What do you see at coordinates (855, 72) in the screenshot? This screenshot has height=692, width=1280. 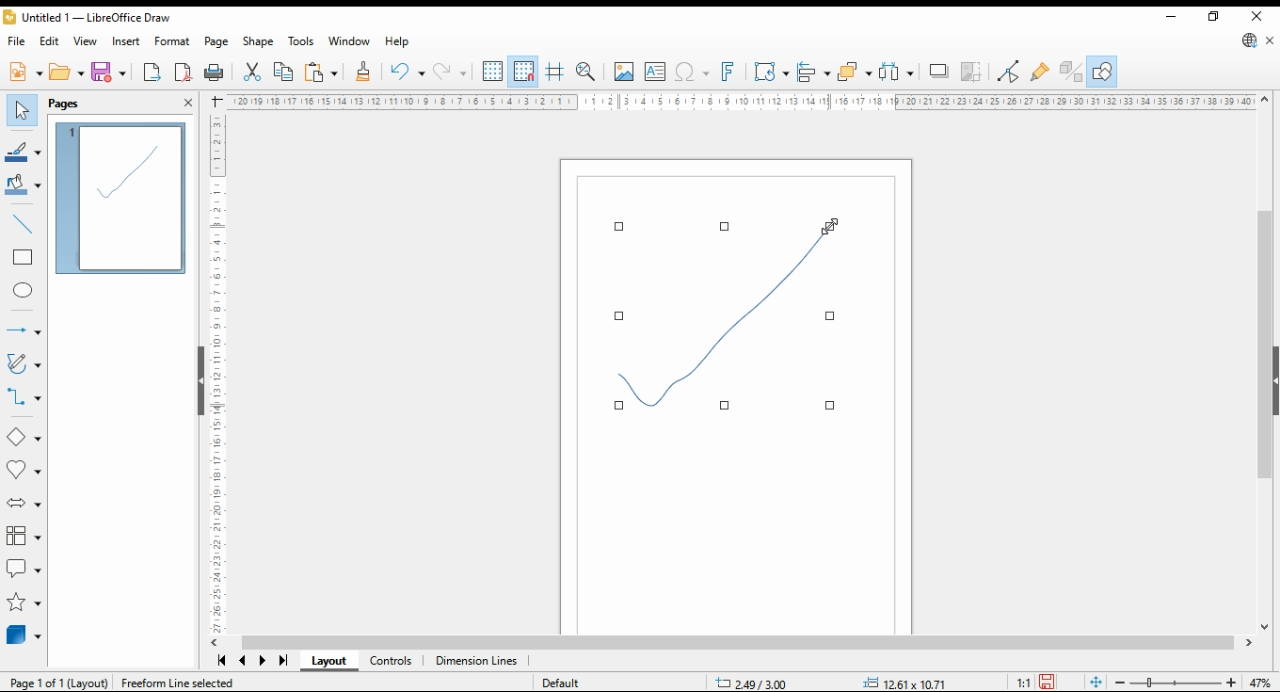 I see `arrange` at bounding box center [855, 72].